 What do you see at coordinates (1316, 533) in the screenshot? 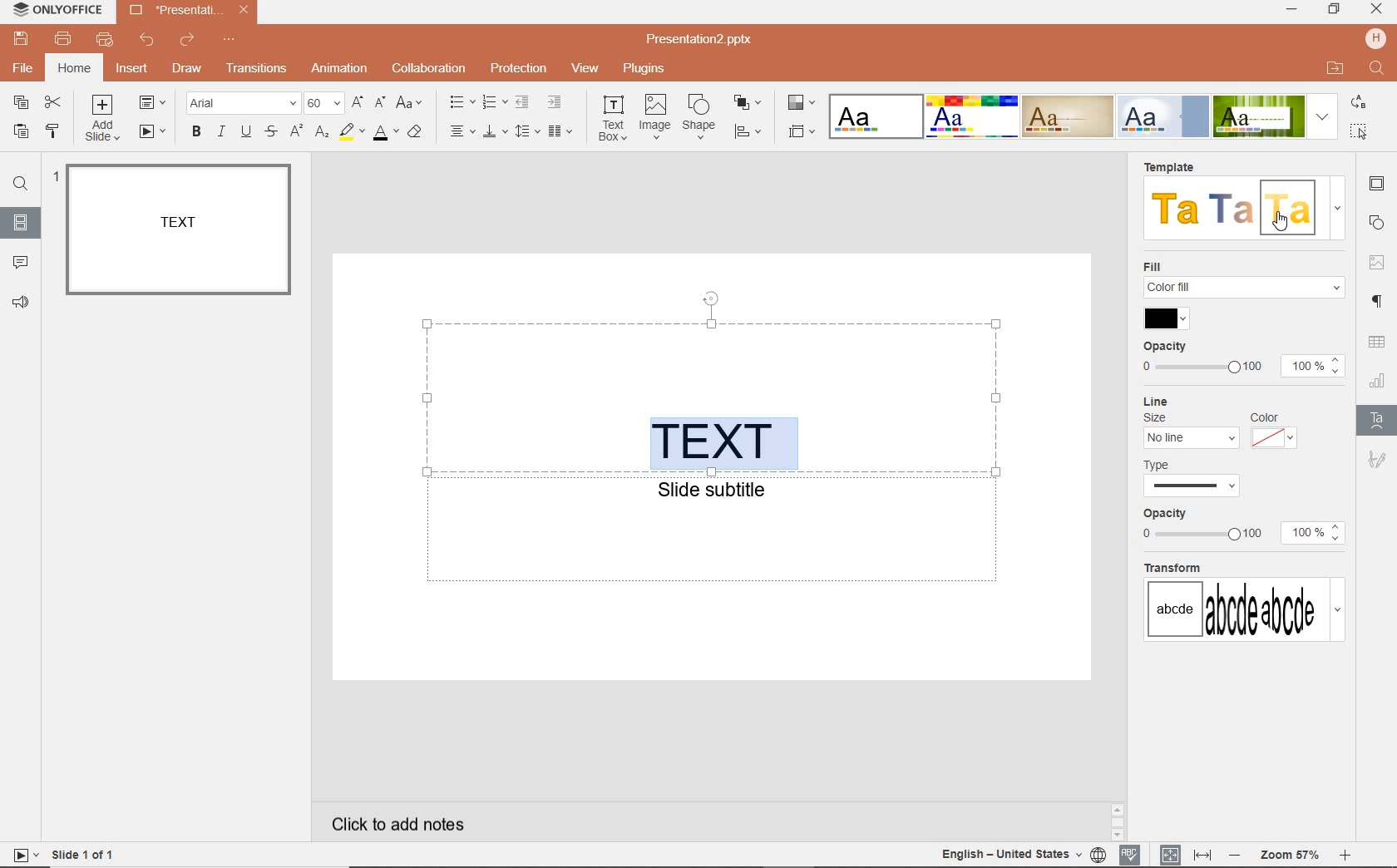
I see `opacity level` at bounding box center [1316, 533].